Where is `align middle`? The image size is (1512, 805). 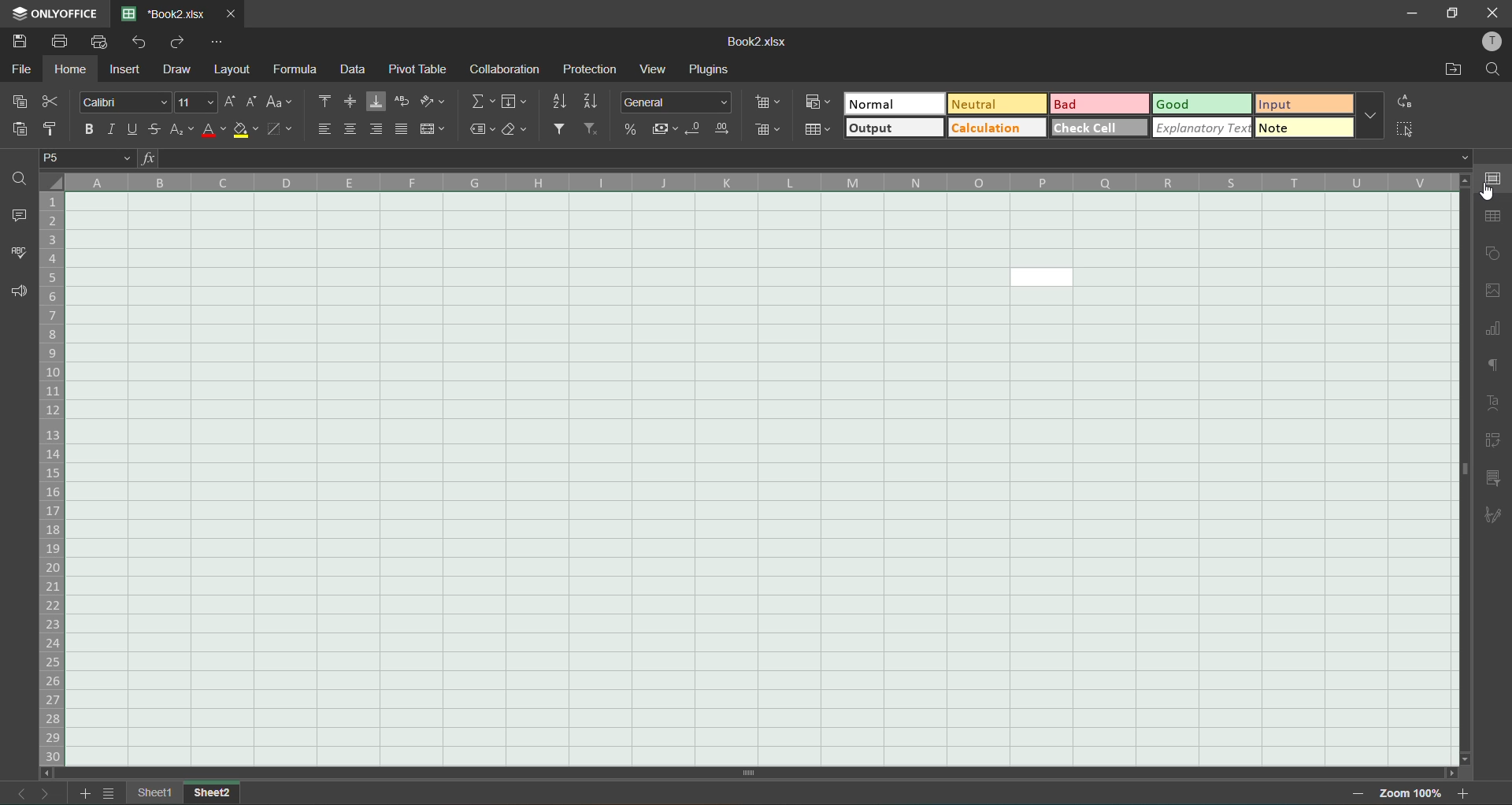 align middle is located at coordinates (353, 102).